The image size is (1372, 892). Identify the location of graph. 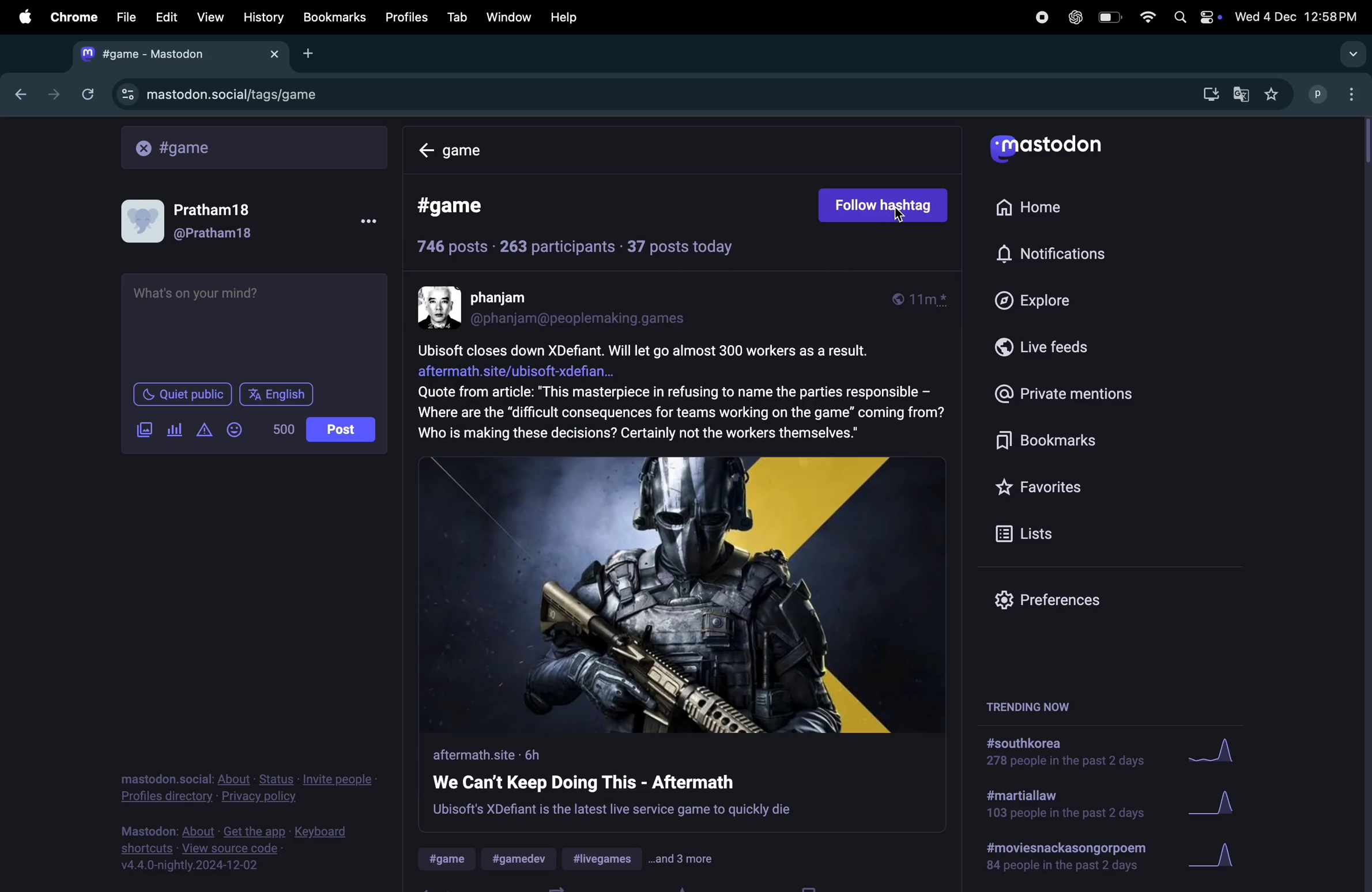
(1218, 752).